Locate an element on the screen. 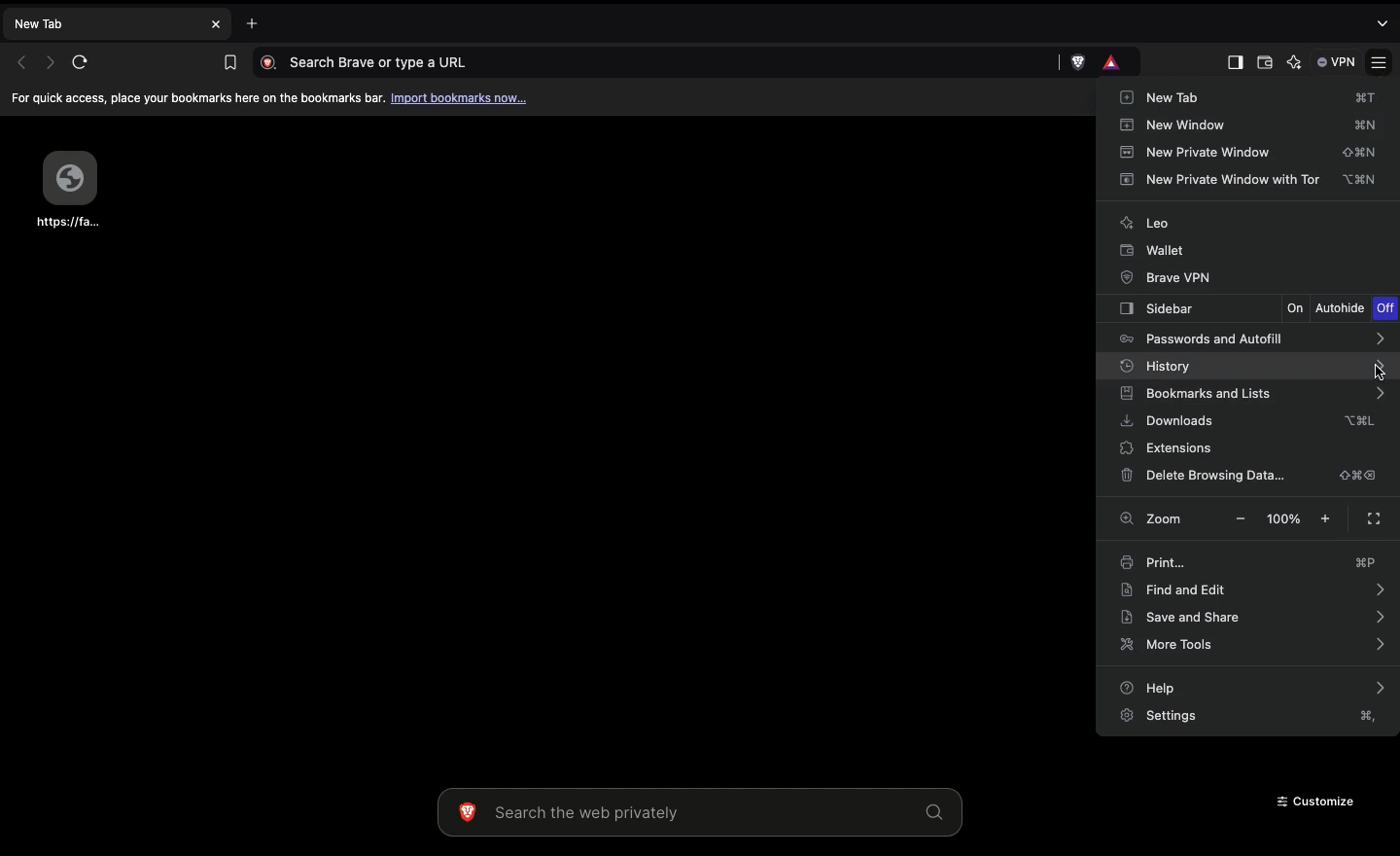  Leo is located at coordinates (1145, 223).